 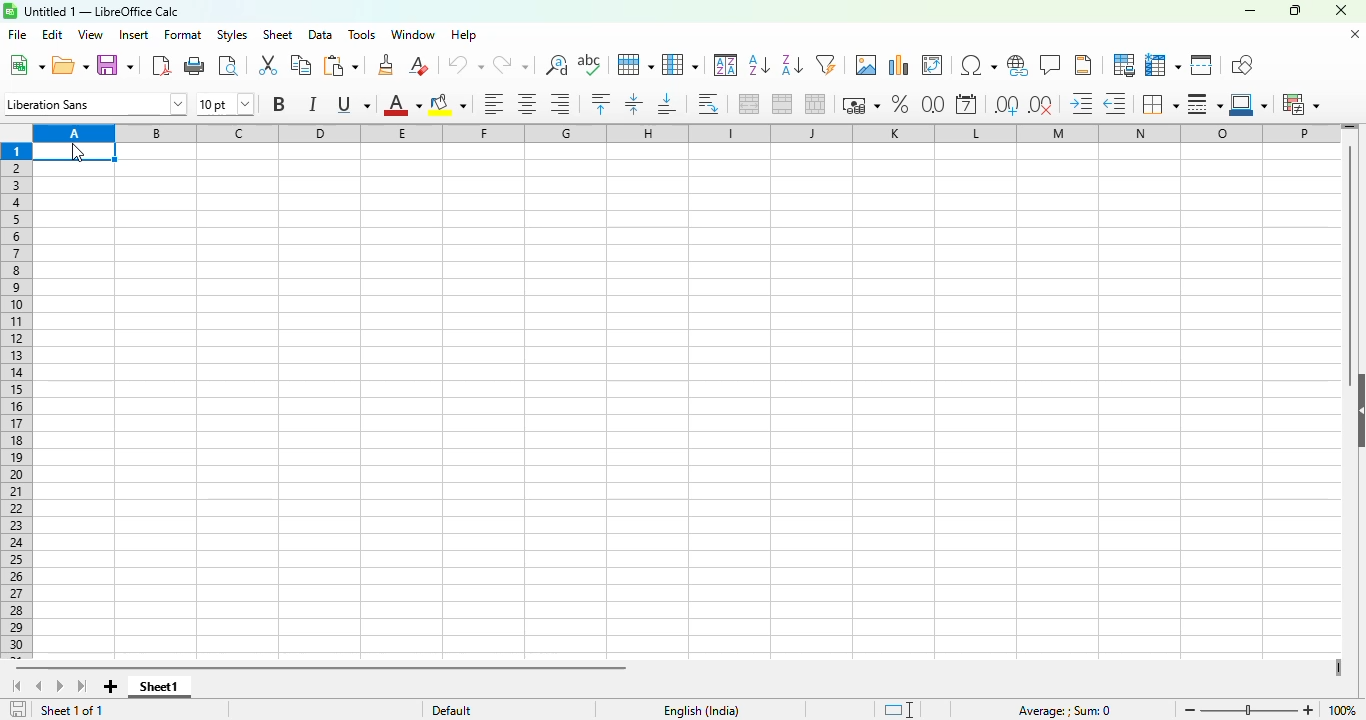 I want to click on file, so click(x=17, y=34).